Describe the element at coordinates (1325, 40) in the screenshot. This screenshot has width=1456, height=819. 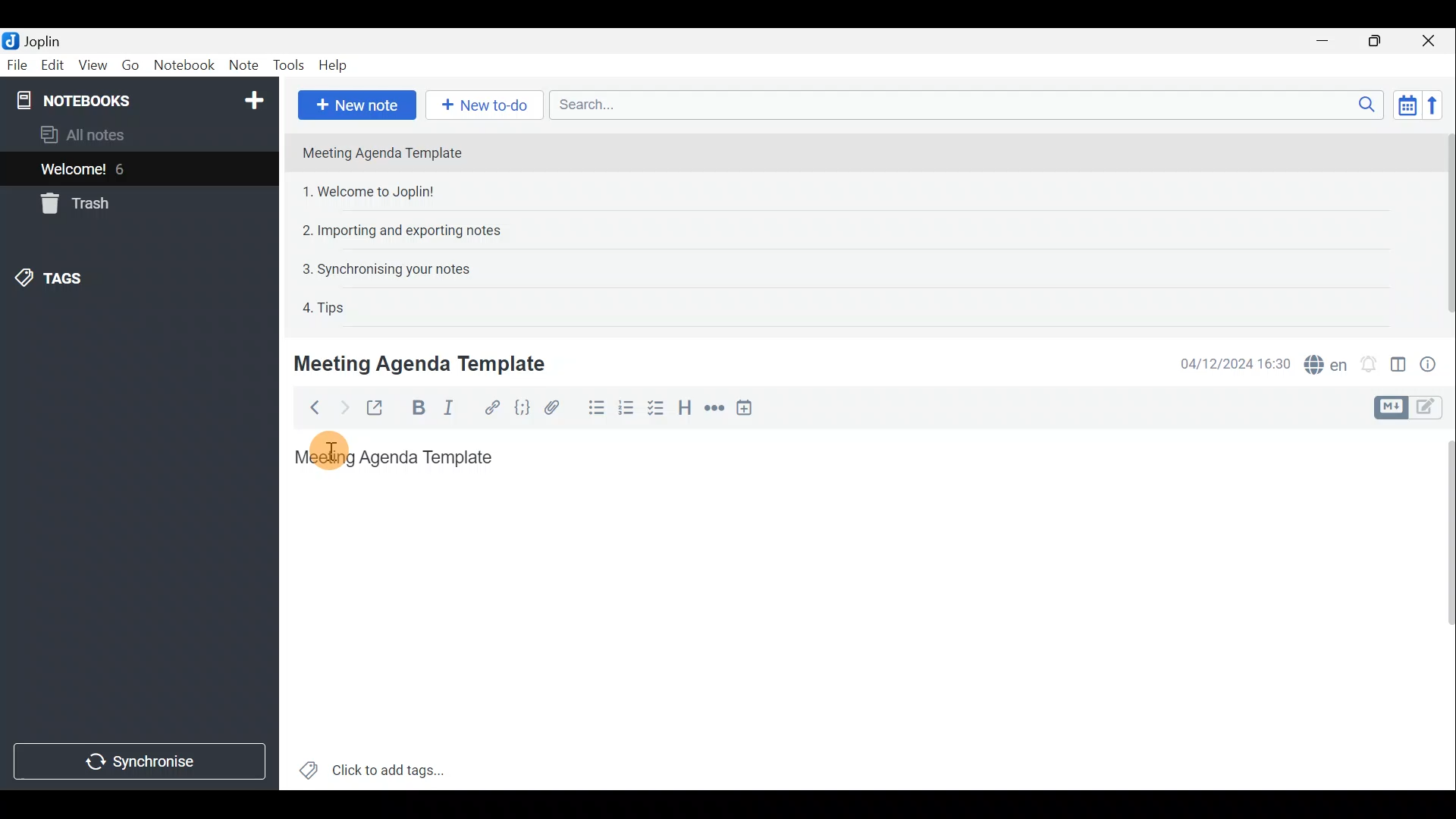
I see `Minimise` at that location.